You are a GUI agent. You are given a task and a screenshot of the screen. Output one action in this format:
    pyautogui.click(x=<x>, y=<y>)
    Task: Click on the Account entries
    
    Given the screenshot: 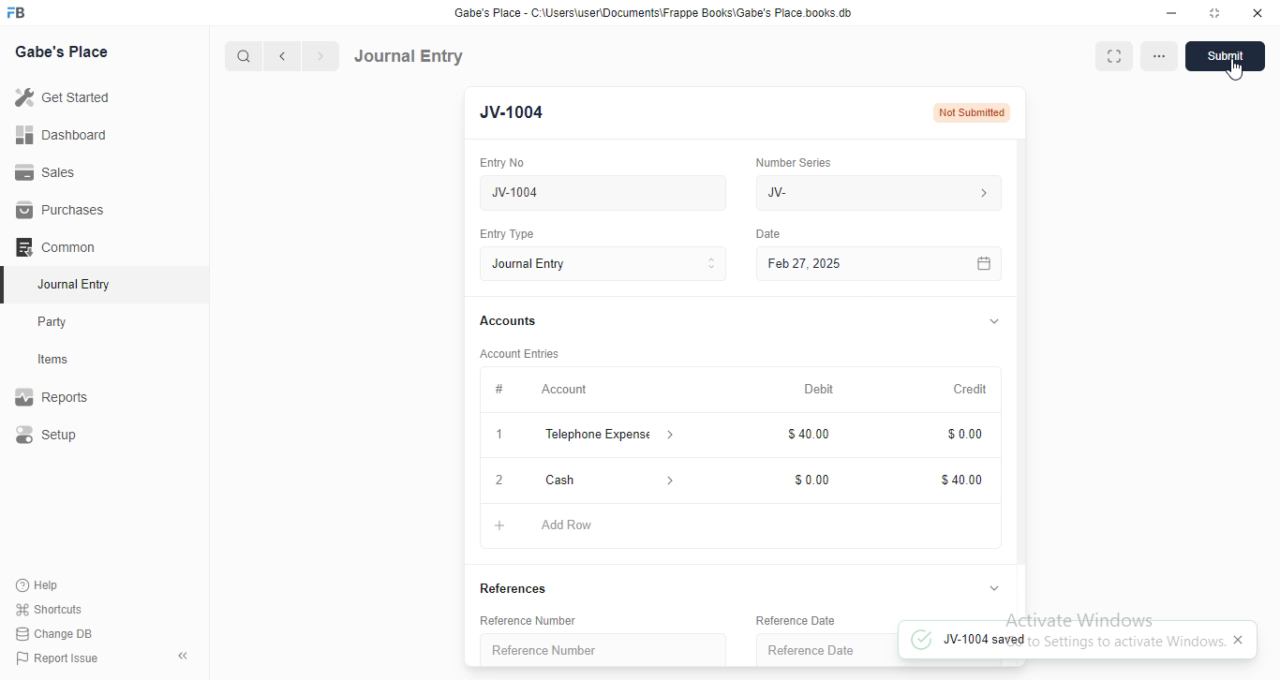 What is the action you would take?
    pyautogui.click(x=519, y=353)
    